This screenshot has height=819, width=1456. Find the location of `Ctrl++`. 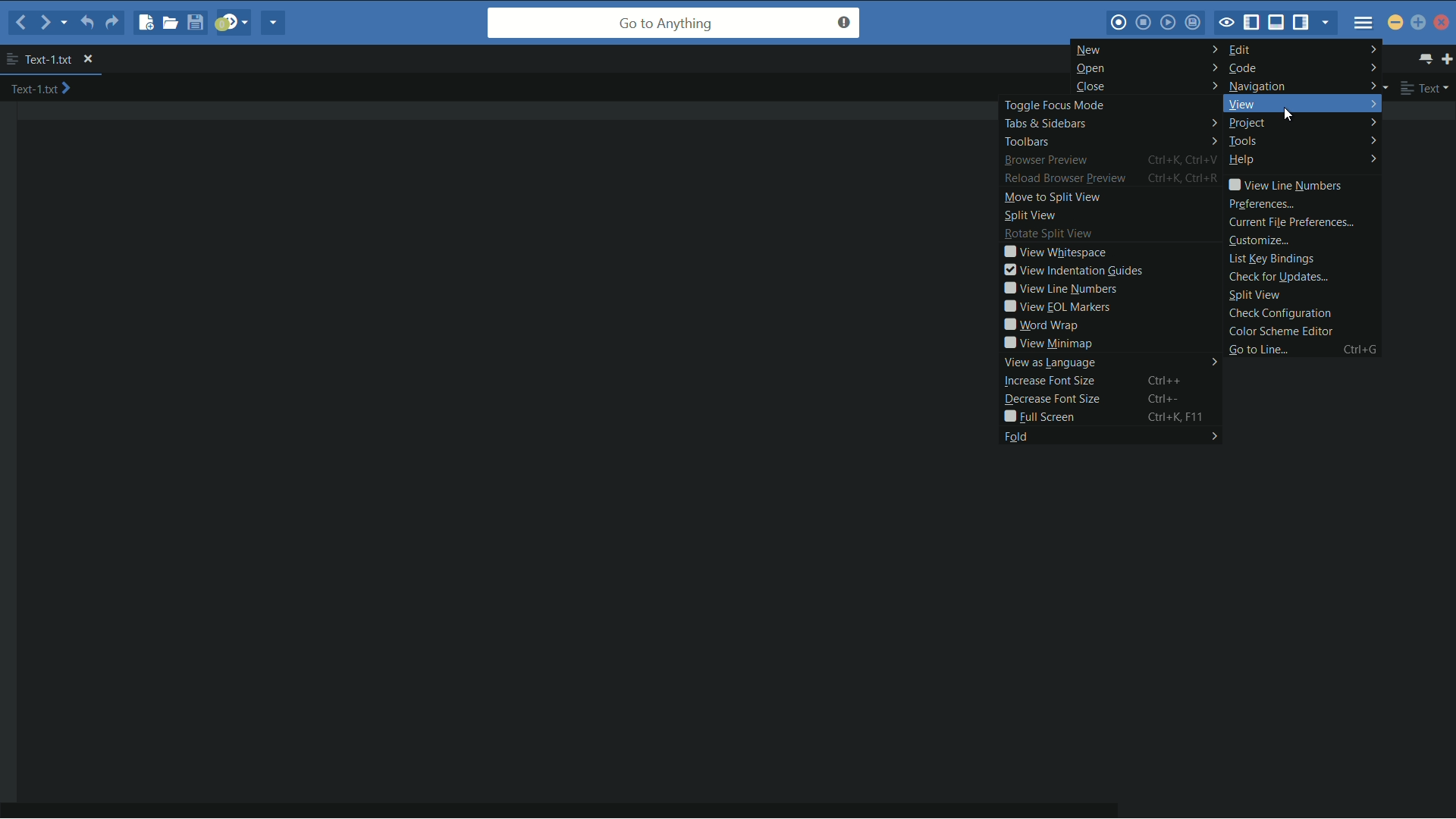

Ctrl++ is located at coordinates (1158, 379).